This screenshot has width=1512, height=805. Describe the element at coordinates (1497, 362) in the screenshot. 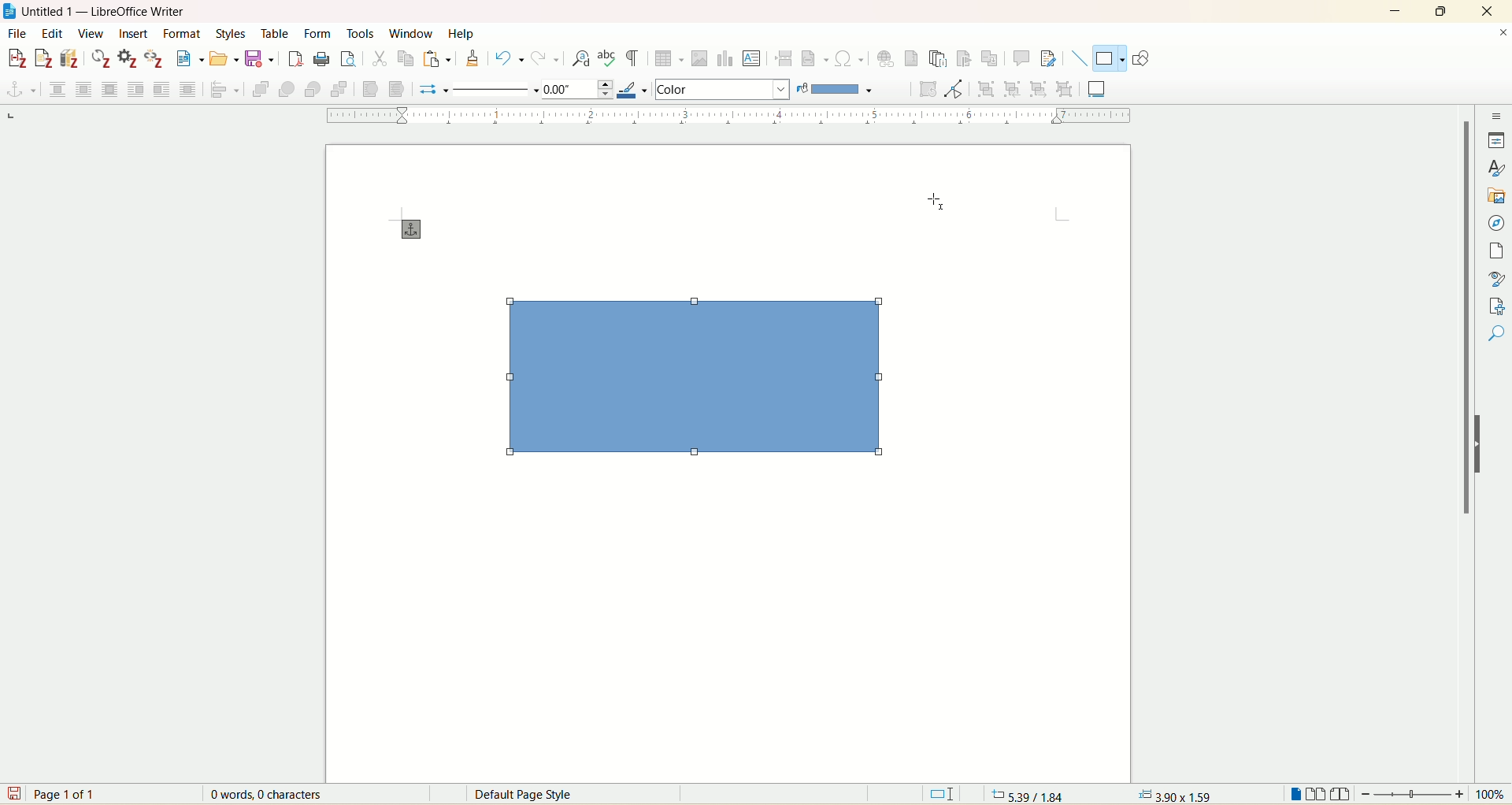

I see `find` at that location.